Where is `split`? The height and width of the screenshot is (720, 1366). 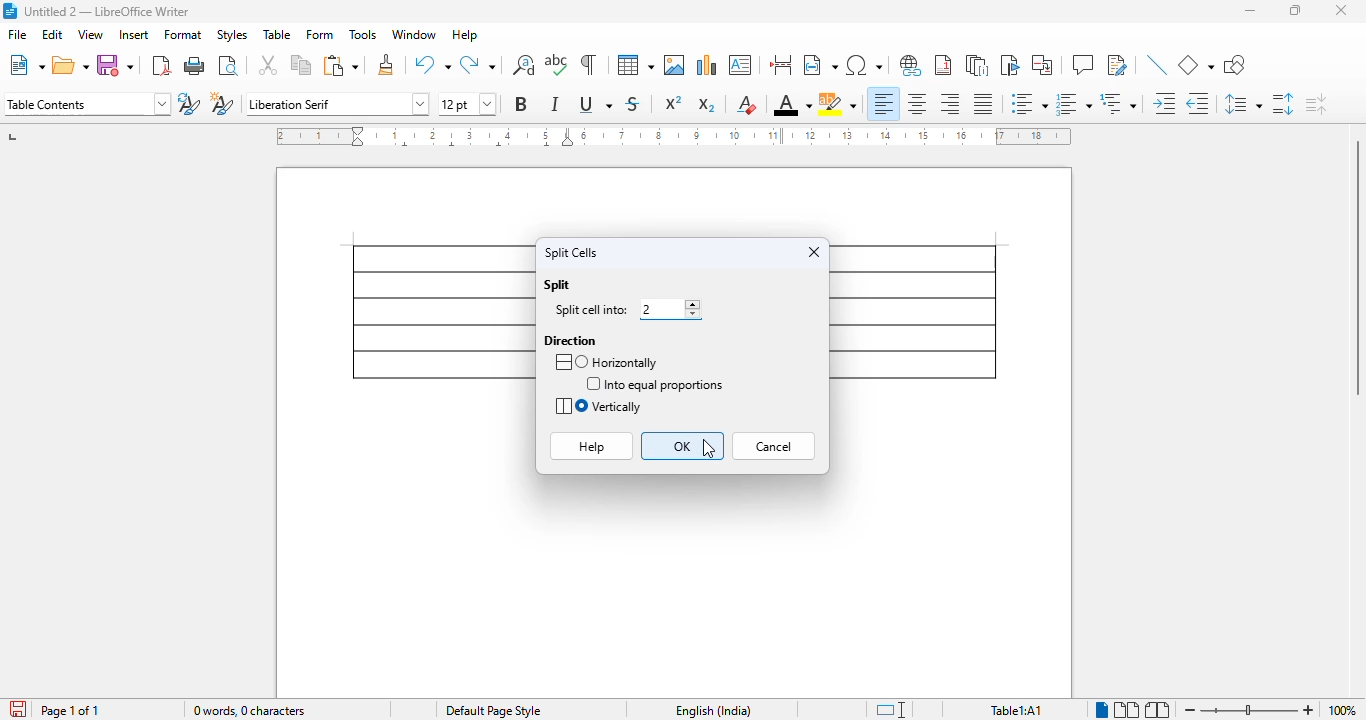
split is located at coordinates (557, 284).